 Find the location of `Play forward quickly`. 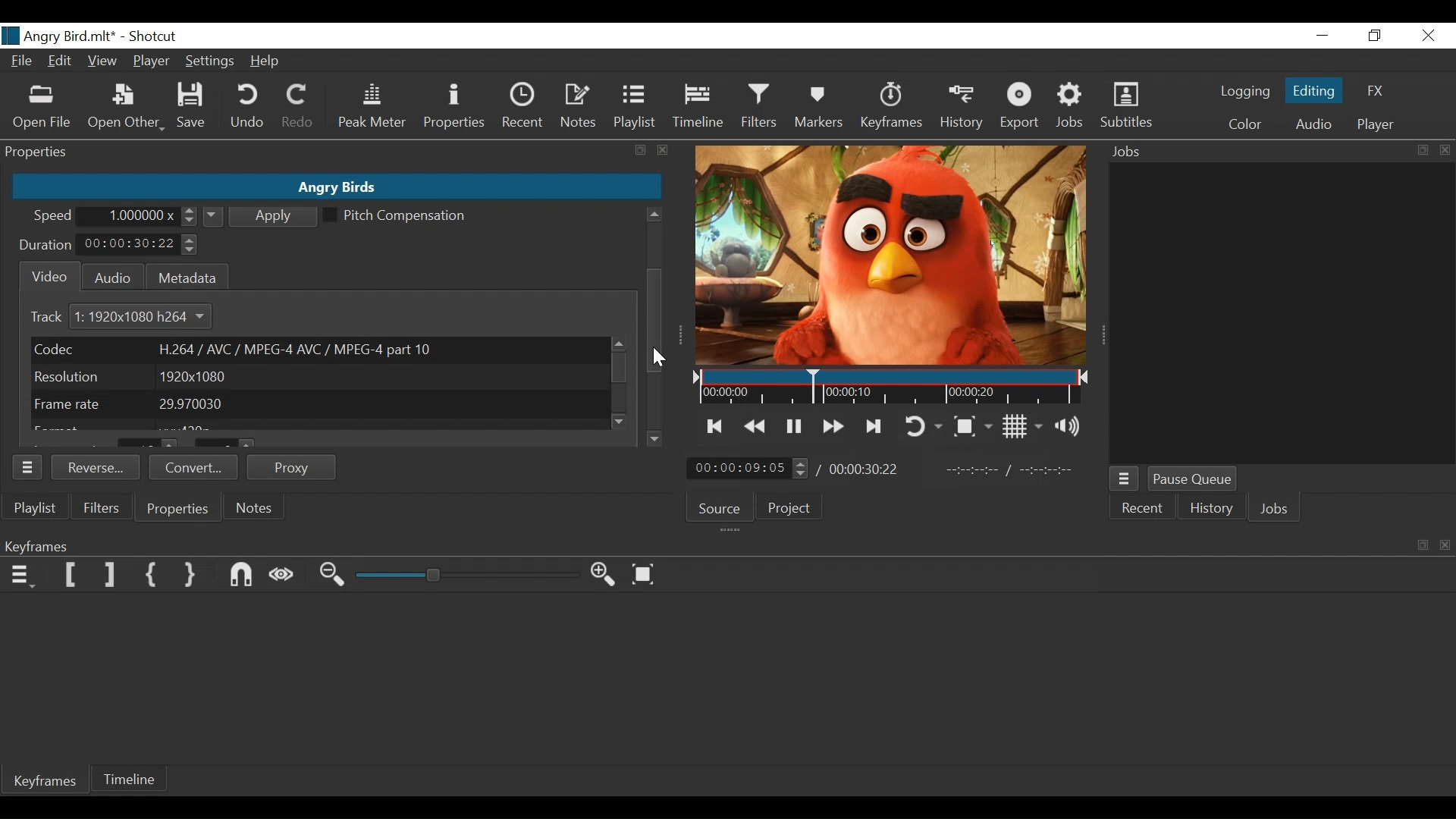

Play forward quickly is located at coordinates (831, 425).